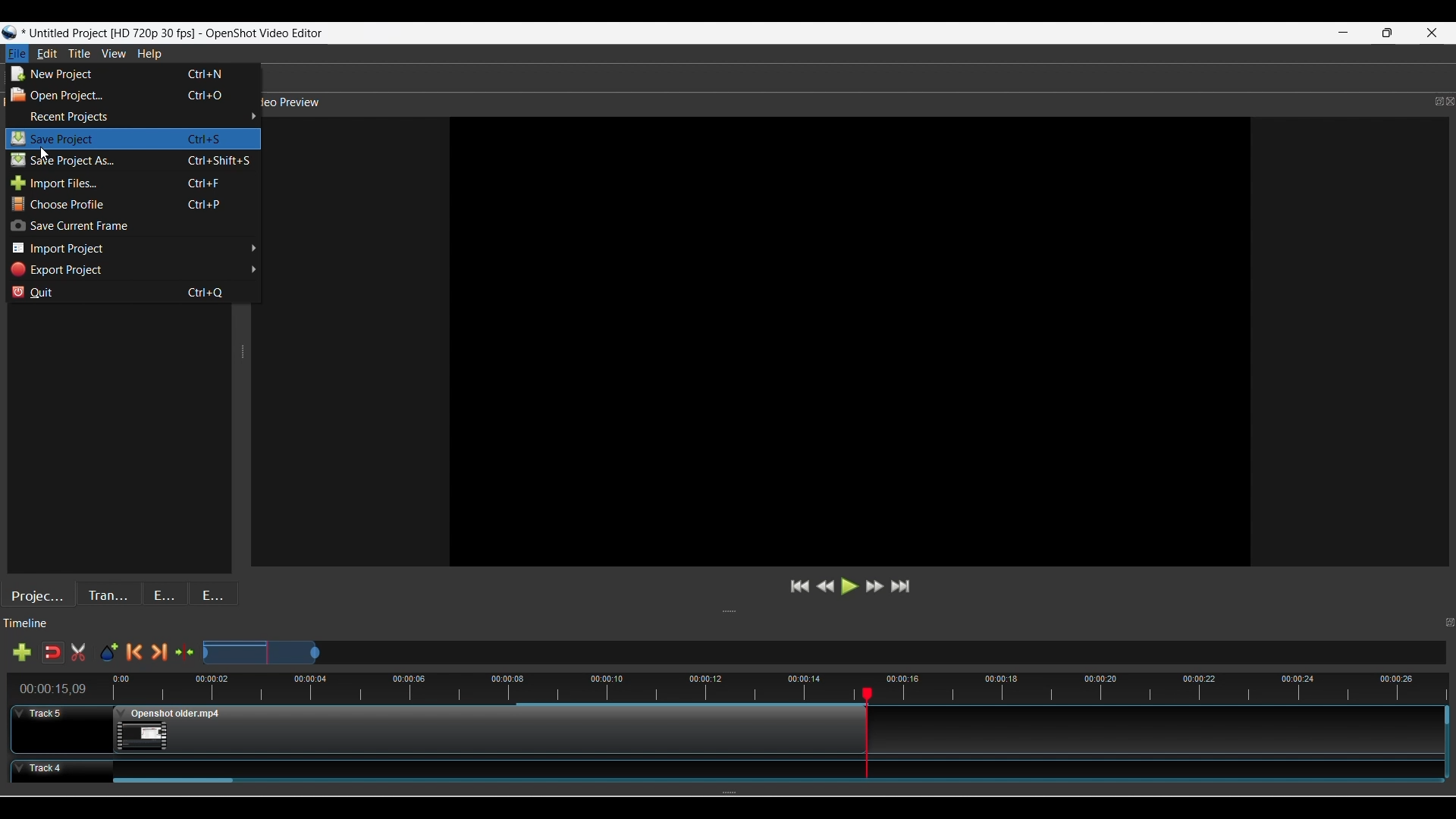  What do you see at coordinates (800, 586) in the screenshot?
I see `Jump to start` at bounding box center [800, 586].